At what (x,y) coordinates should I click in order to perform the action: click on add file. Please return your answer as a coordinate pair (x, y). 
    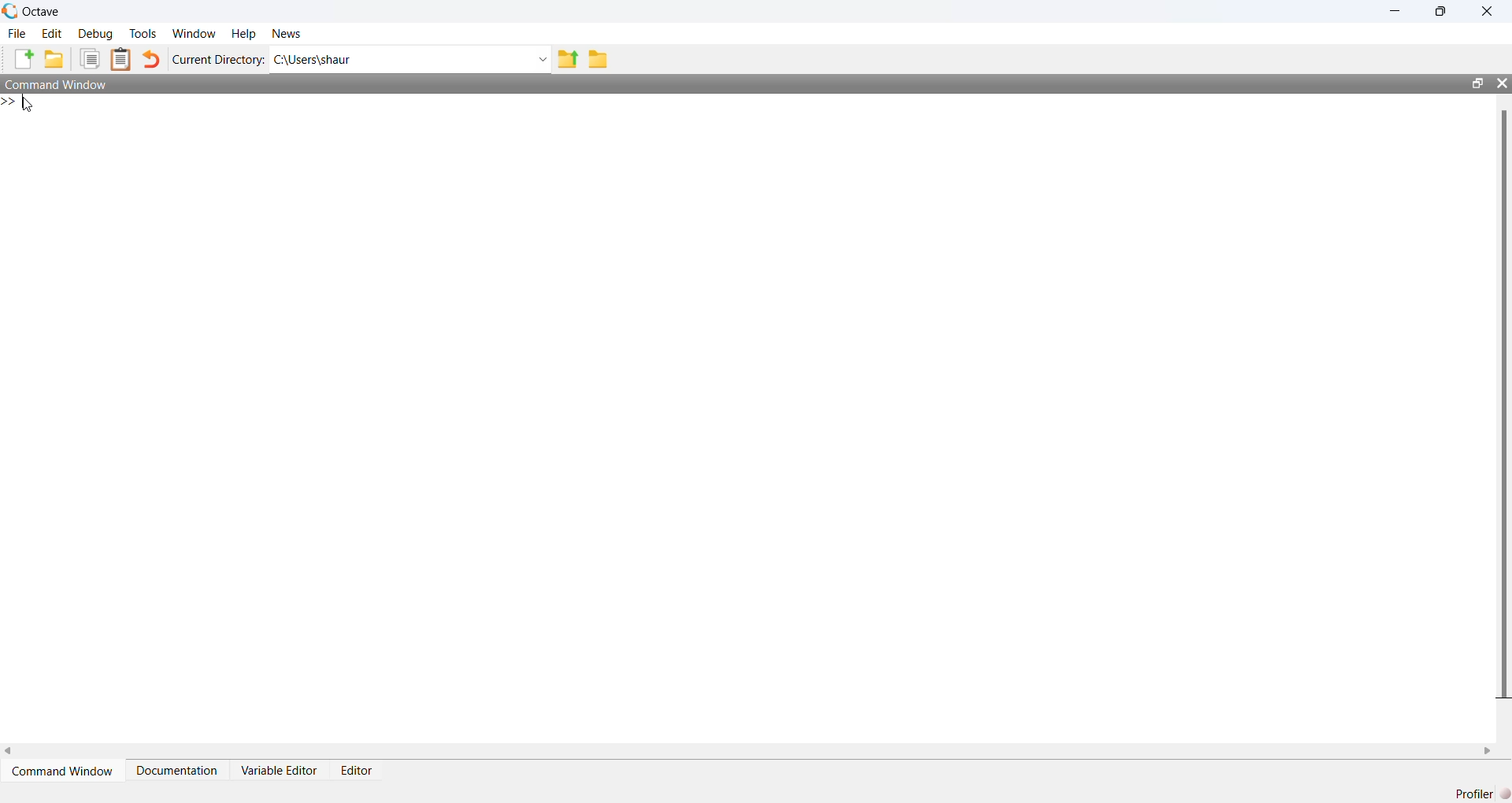
    Looking at the image, I should click on (24, 58).